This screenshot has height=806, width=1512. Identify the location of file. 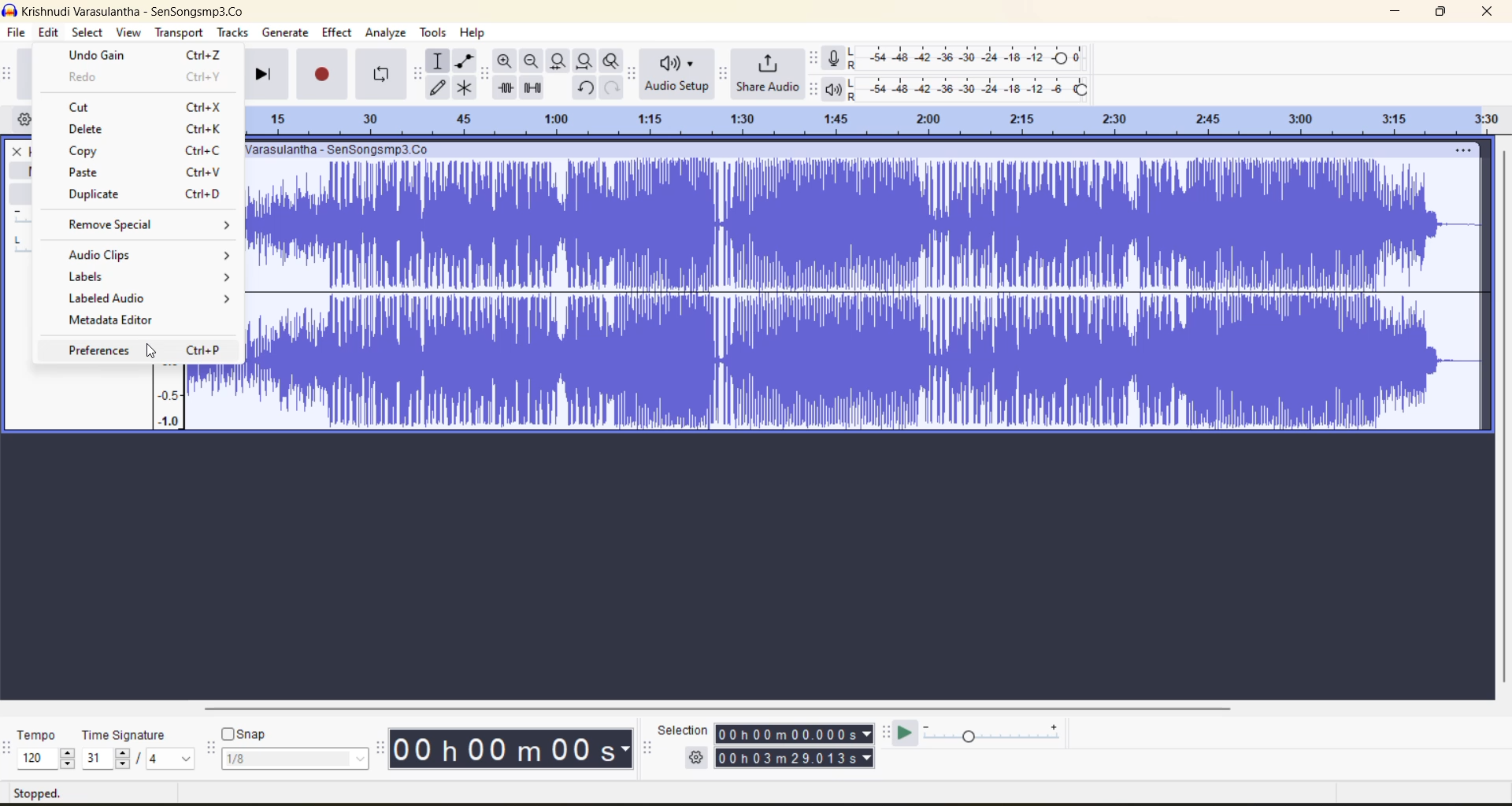
(14, 35).